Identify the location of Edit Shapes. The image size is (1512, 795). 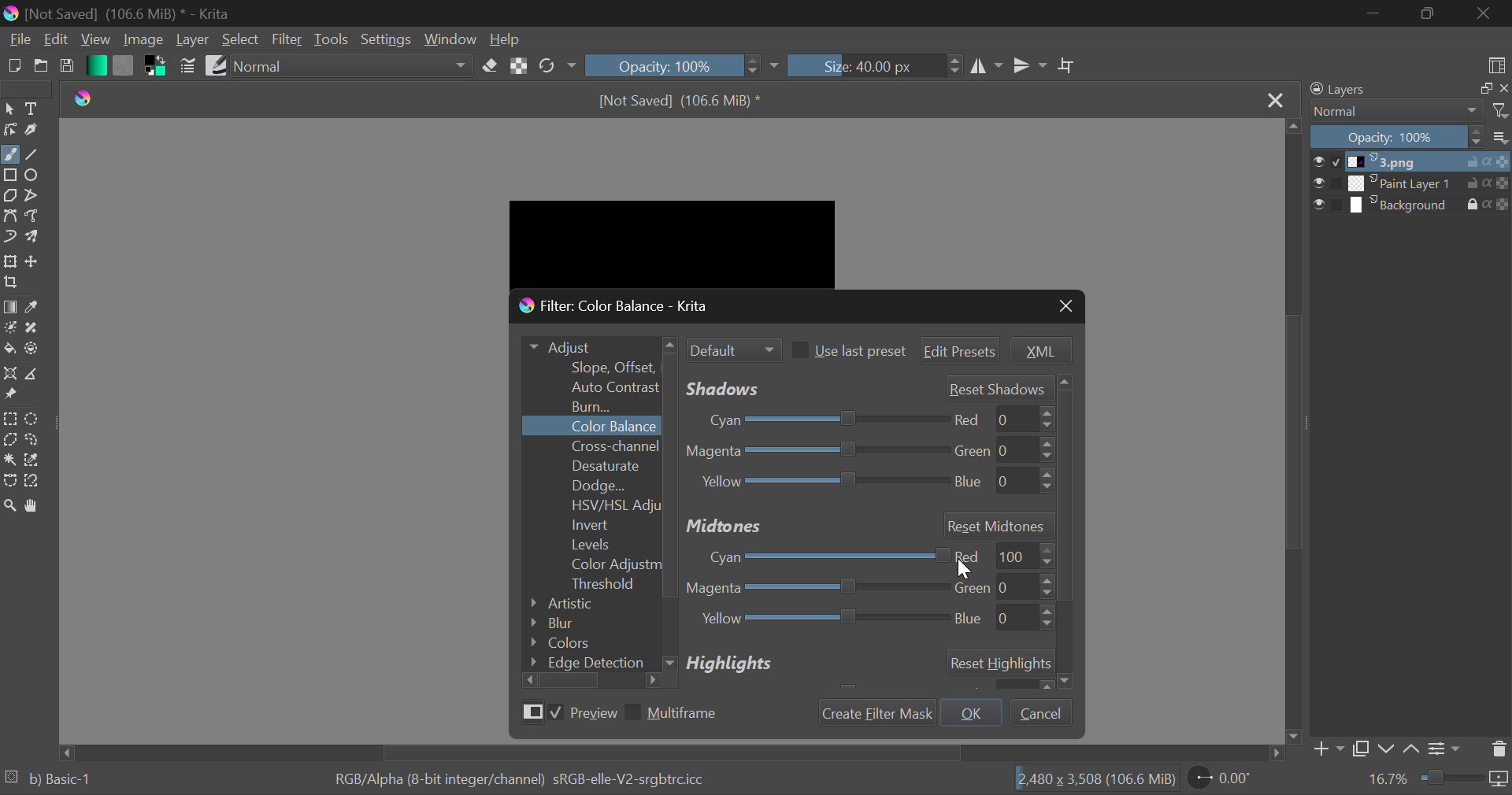
(10, 130).